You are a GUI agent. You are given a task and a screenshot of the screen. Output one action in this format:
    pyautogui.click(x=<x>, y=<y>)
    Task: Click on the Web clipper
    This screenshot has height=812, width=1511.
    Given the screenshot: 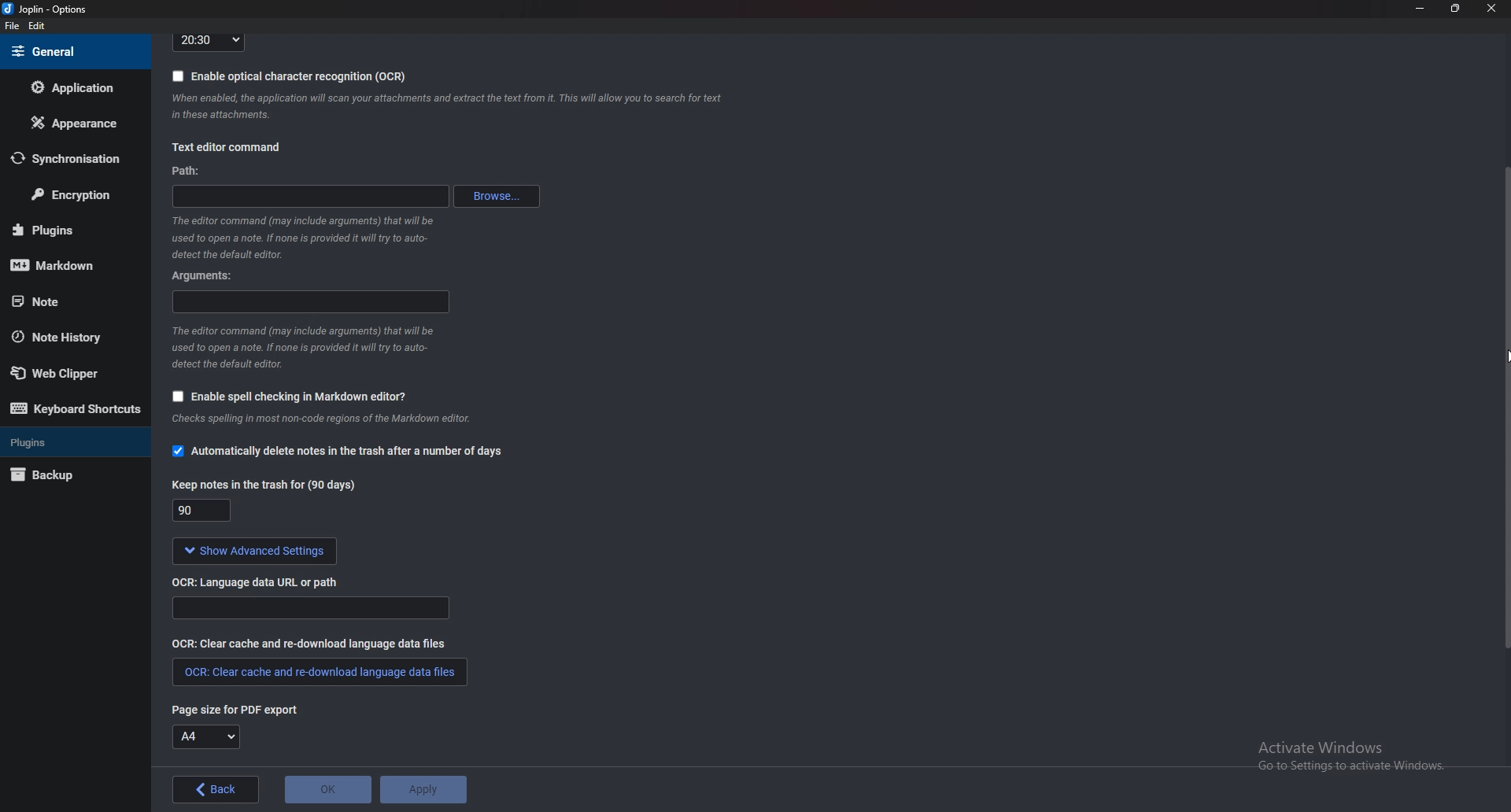 What is the action you would take?
    pyautogui.click(x=70, y=374)
    